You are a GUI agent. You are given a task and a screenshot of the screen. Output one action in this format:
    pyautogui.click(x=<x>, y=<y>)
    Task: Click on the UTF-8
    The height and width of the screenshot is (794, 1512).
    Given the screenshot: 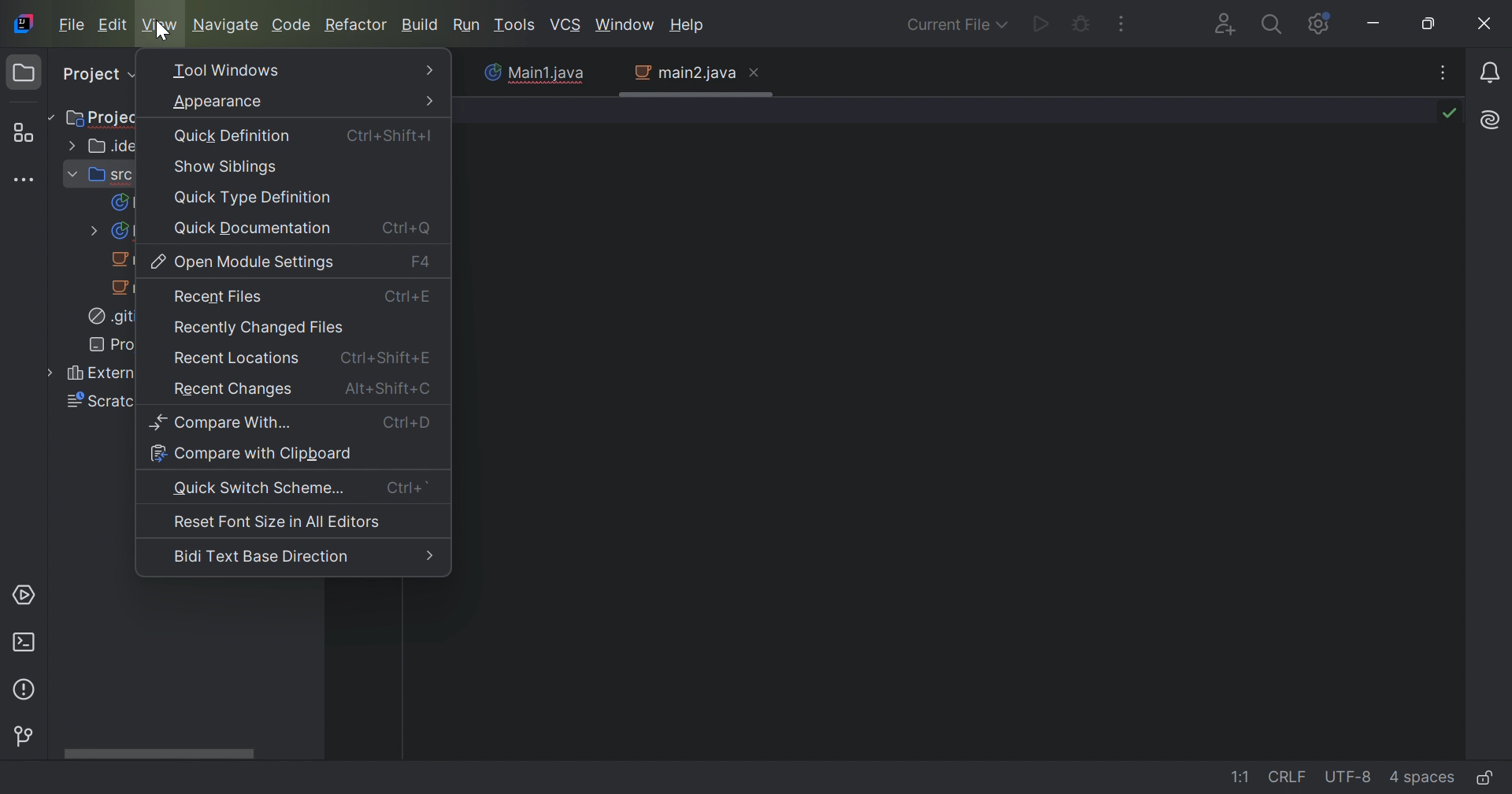 What is the action you would take?
    pyautogui.click(x=1351, y=777)
    